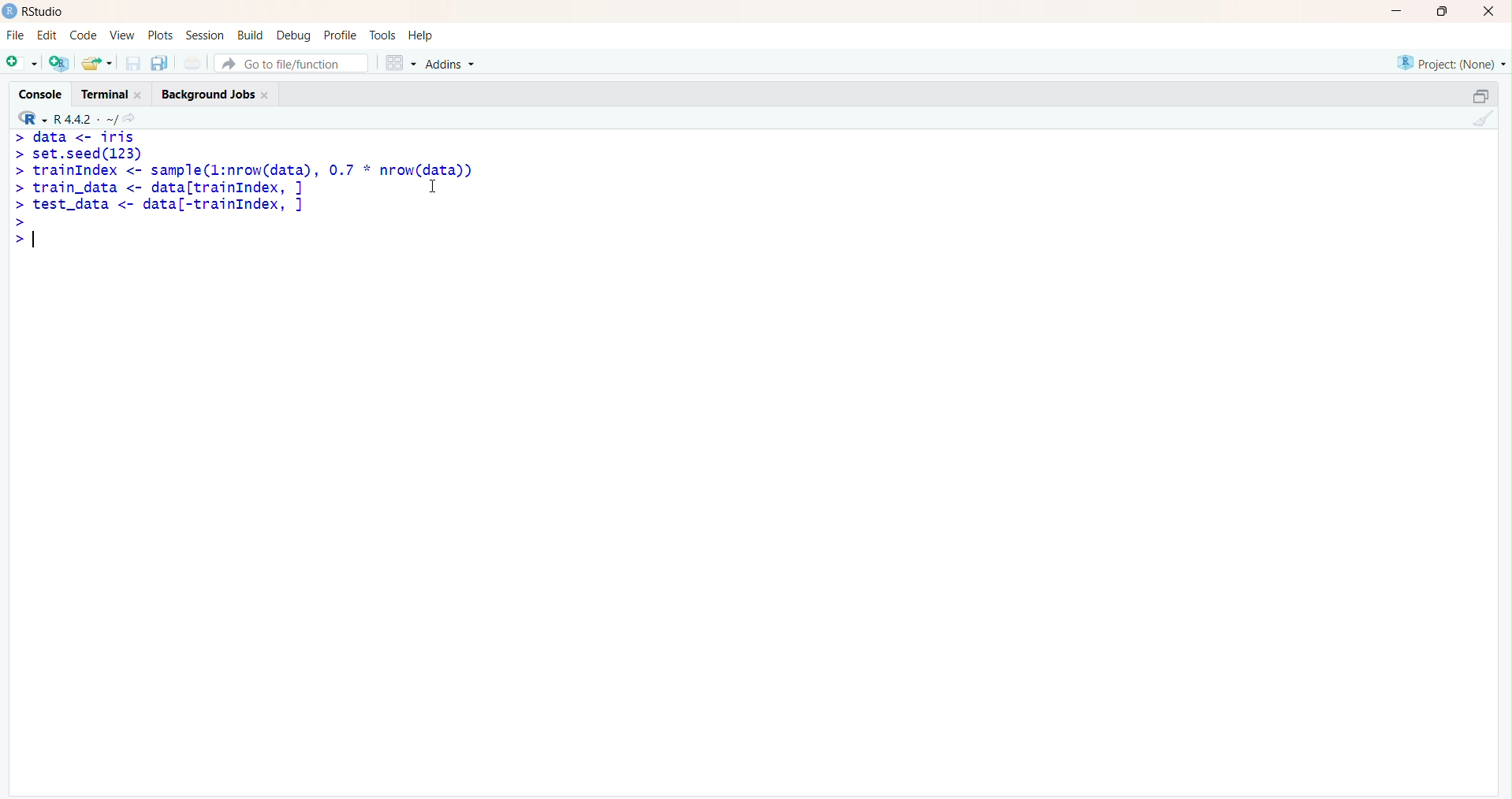 This screenshot has width=1512, height=799. What do you see at coordinates (1450, 62) in the screenshot?
I see `Project (None)` at bounding box center [1450, 62].